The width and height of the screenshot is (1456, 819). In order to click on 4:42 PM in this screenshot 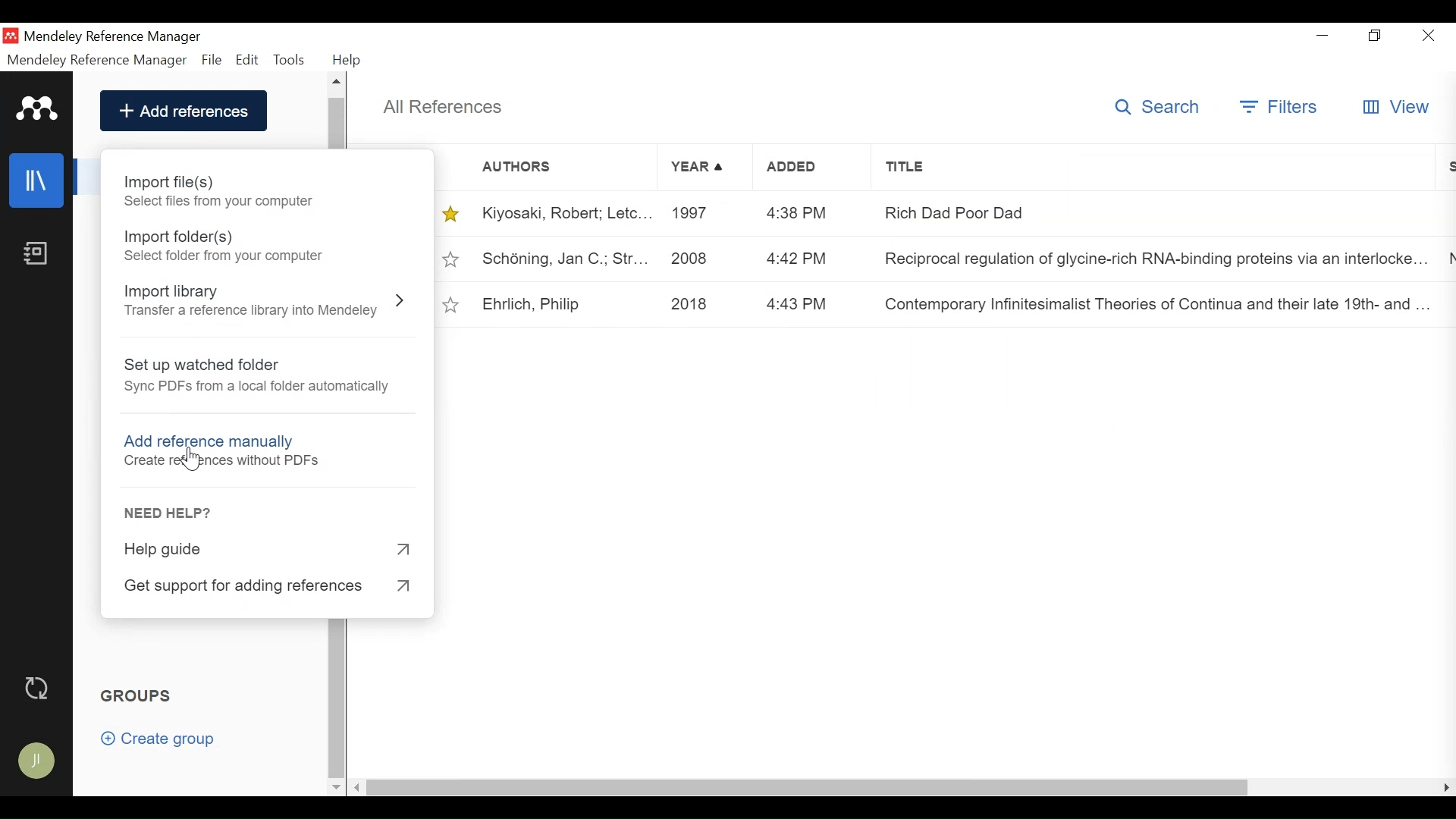, I will do `click(808, 259)`.